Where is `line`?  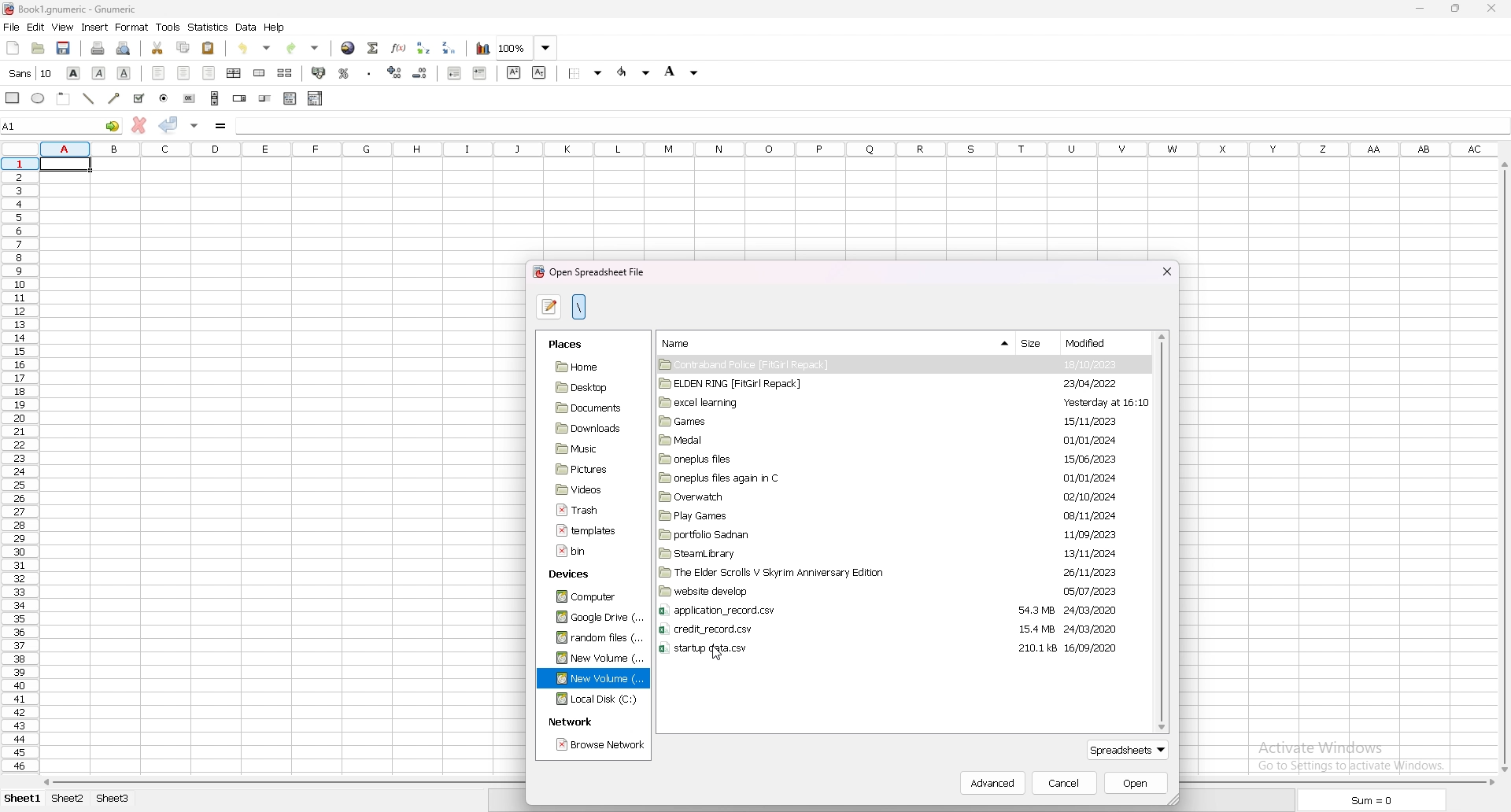
line is located at coordinates (89, 98).